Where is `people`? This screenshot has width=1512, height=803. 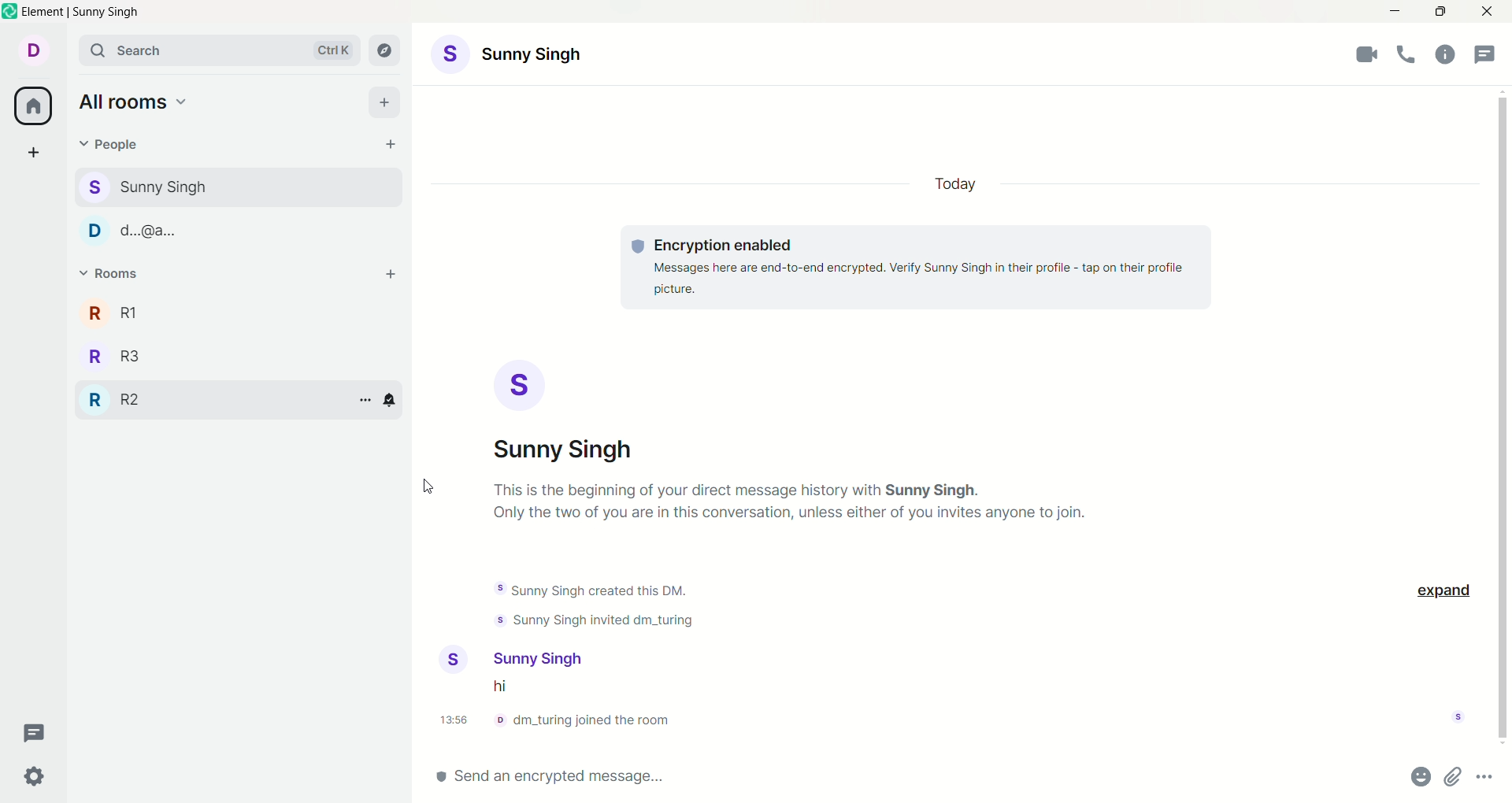 people is located at coordinates (119, 145).